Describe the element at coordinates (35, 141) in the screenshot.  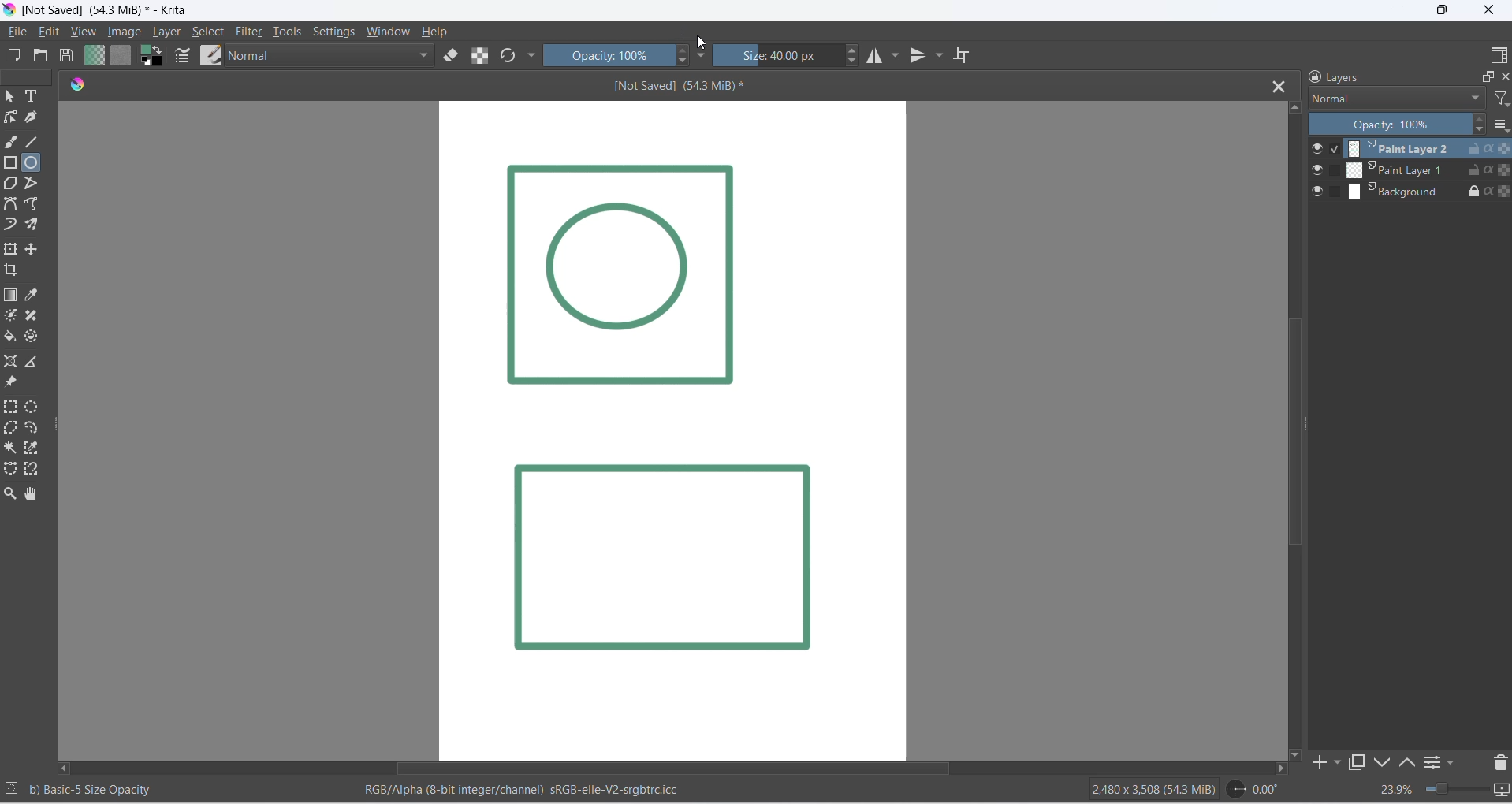
I see `line tool` at that location.